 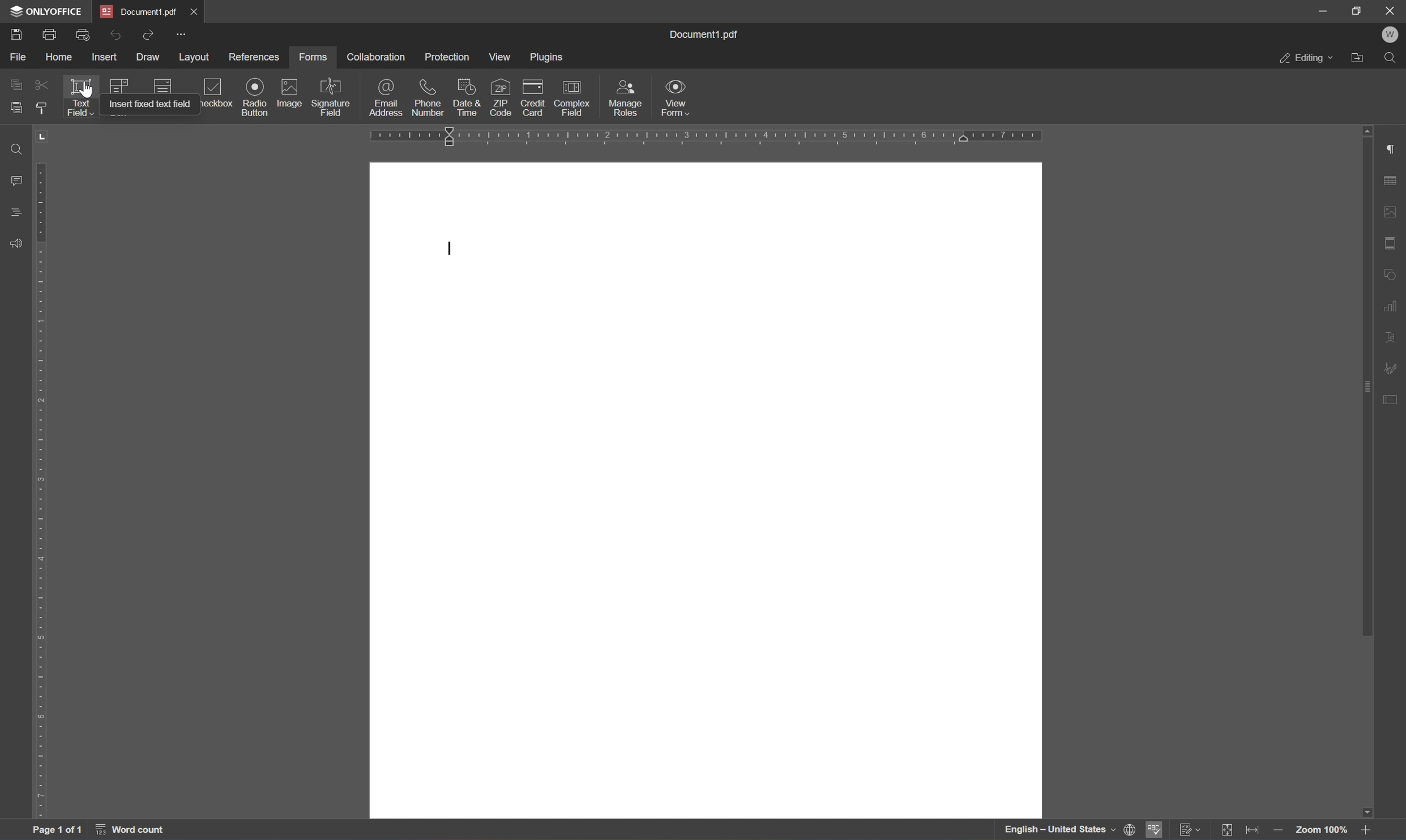 What do you see at coordinates (46, 10) in the screenshot?
I see `ONLYOFFICE` at bounding box center [46, 10].